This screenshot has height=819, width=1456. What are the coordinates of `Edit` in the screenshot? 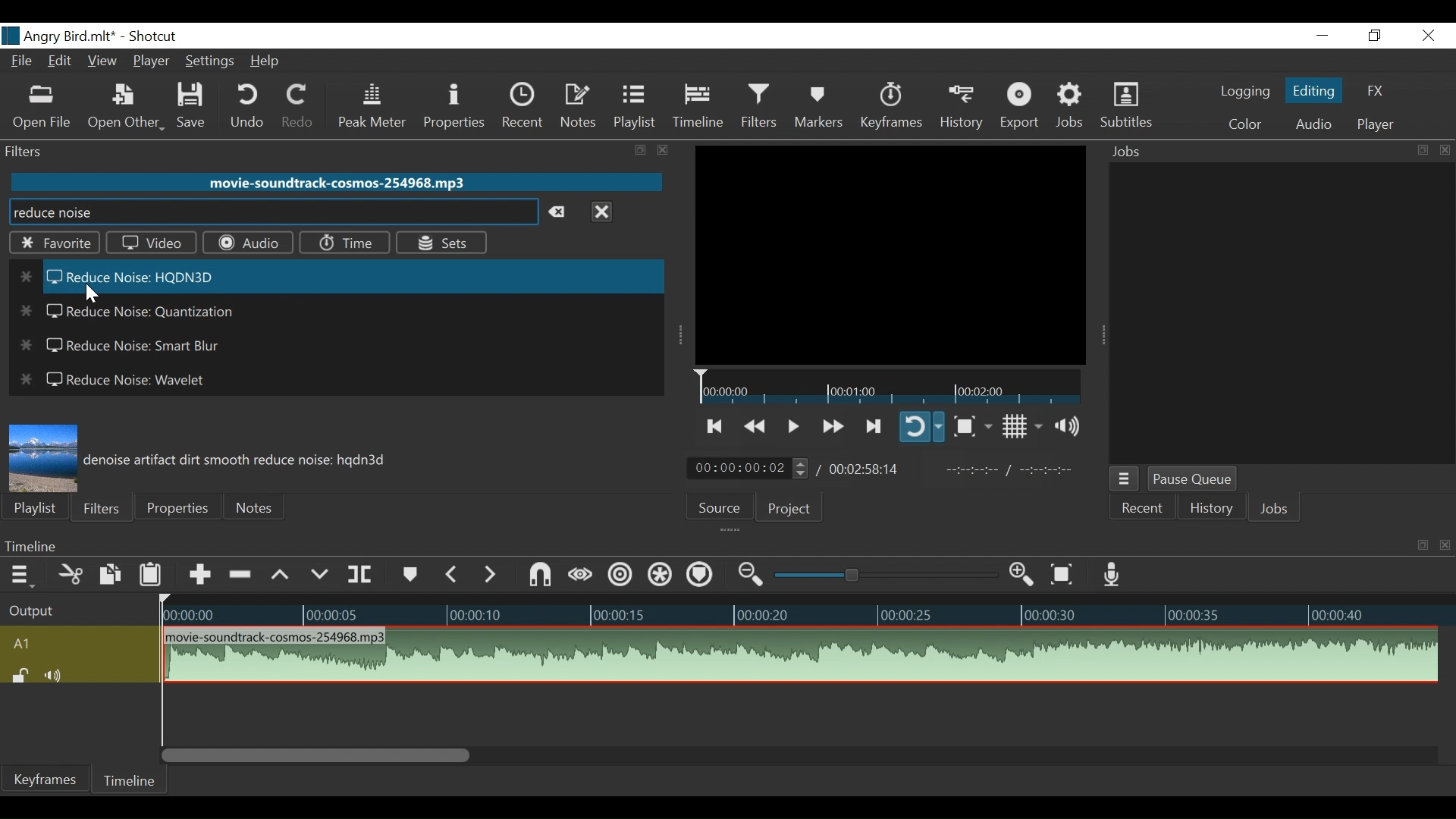 It's located at (61, 63).